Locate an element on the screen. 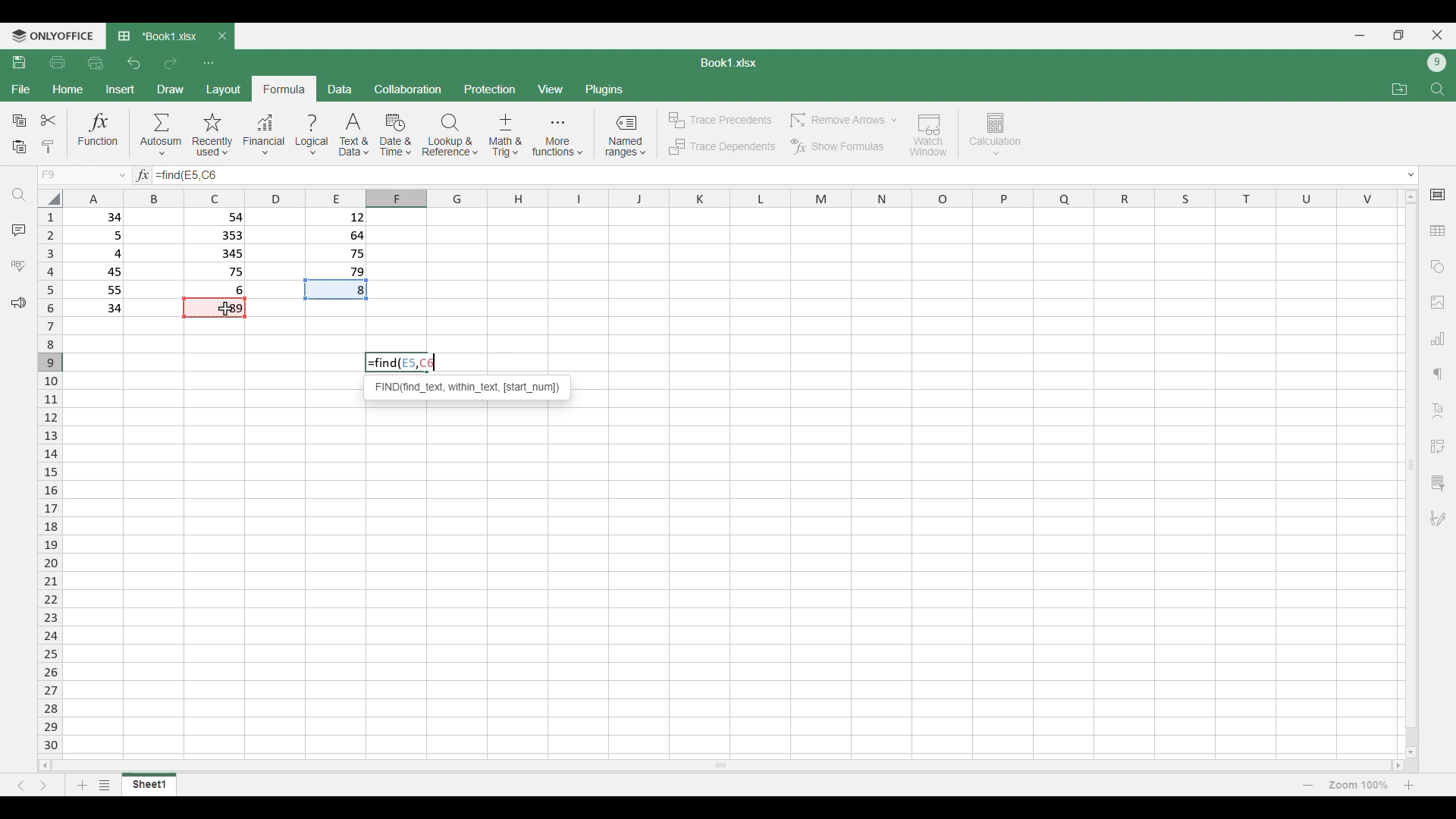 The image size is (1456, 819). Cell settings is located at coordinates (1438, 195).